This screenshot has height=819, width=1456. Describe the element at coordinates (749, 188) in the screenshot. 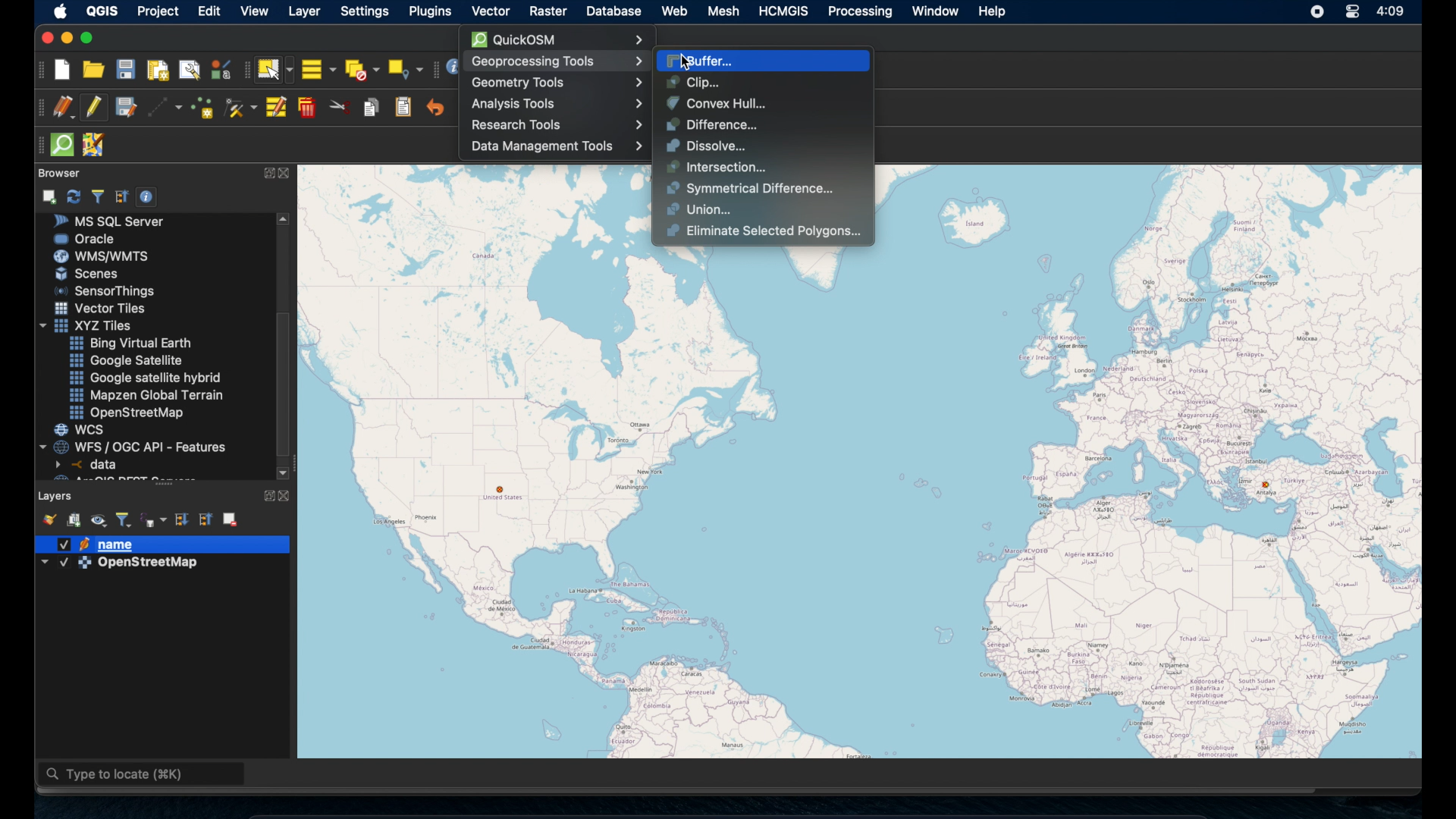

I see `Symmetrical Difference...` at that location.